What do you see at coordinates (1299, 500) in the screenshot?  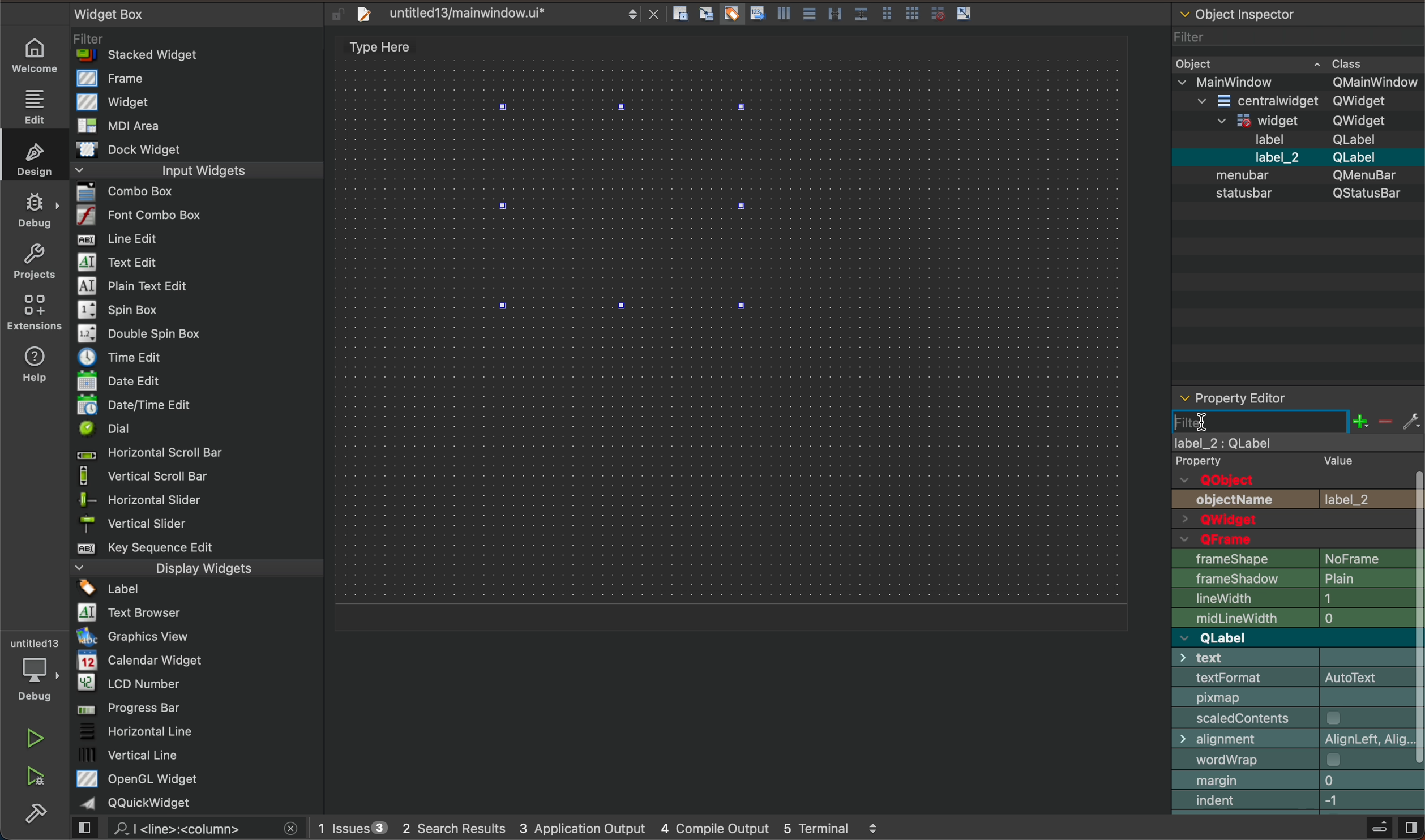 I see `` at bounding box center [1299, 500].